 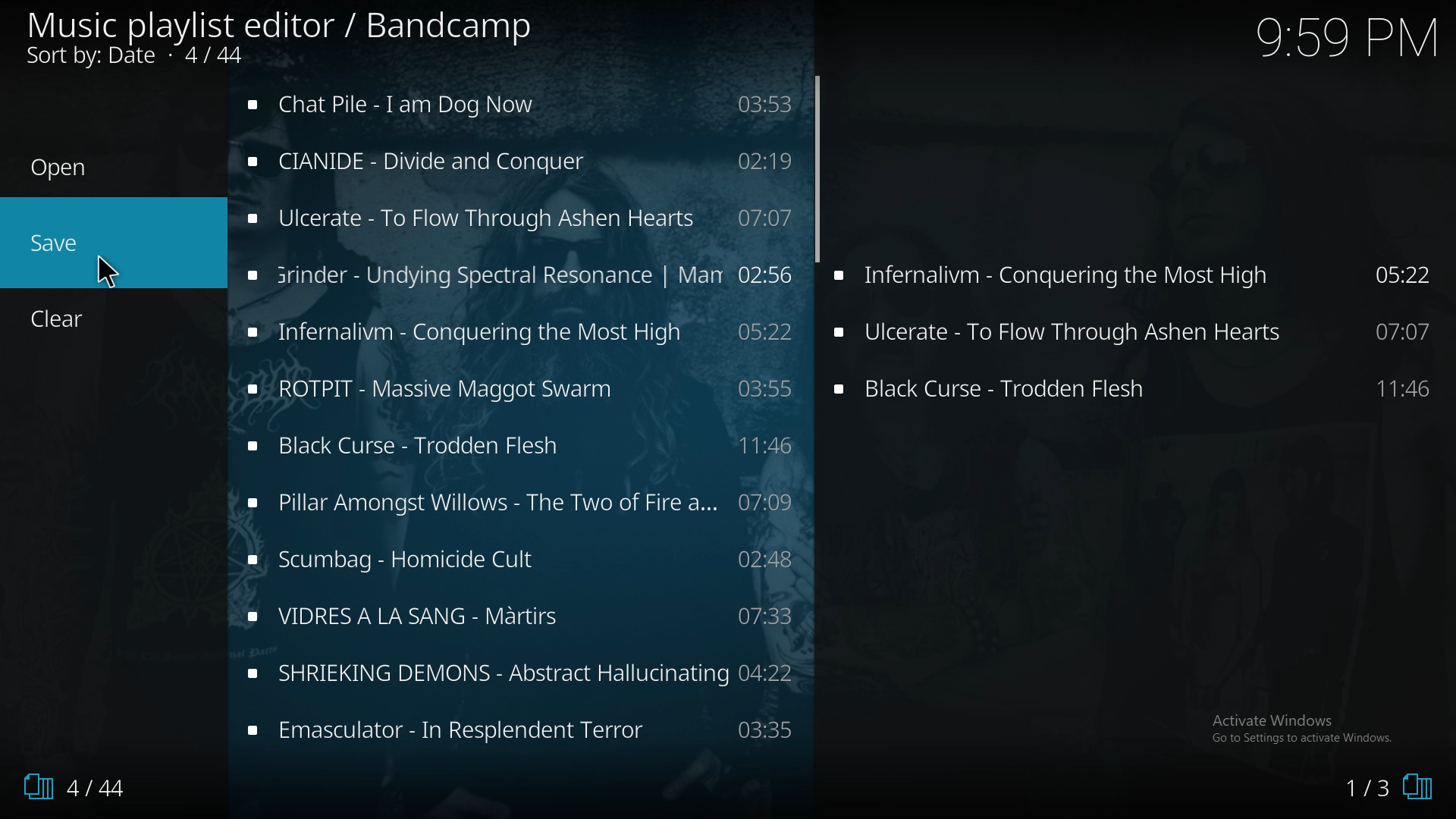 What do you see at coordinates (59, 168) in the screenshot?
I see `Open` at bounding box center [59, 168].